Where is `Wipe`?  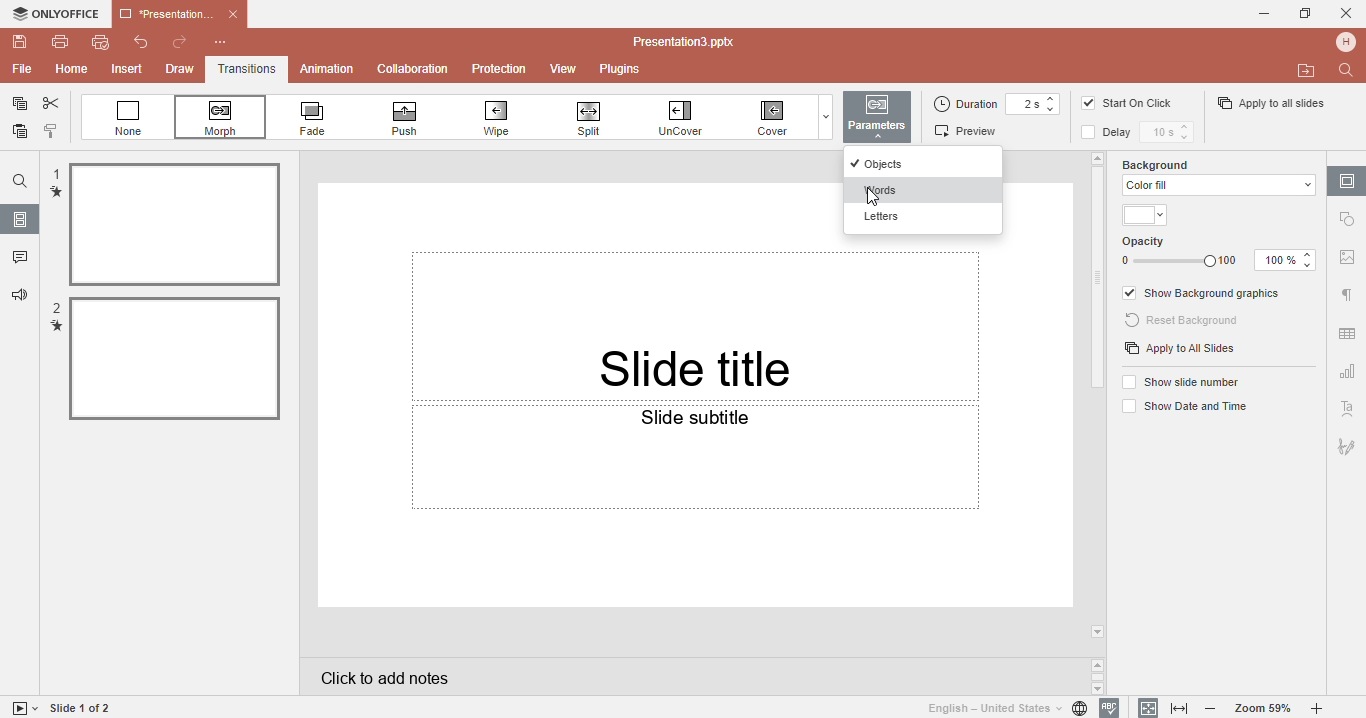
Wipe is located at coordinates (508, 117).